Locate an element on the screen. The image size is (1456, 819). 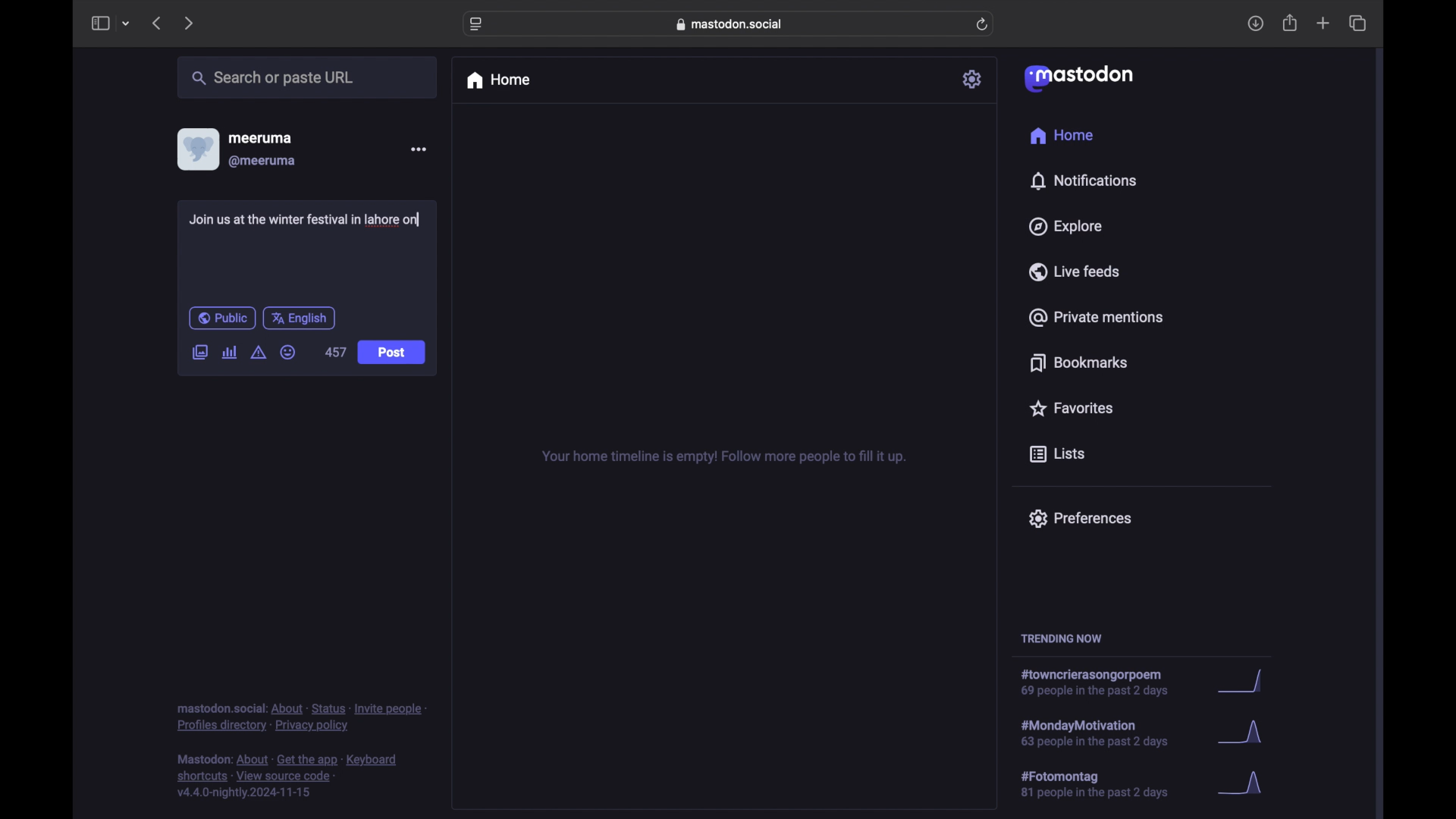
search or paste url is located at coordinates (272, 78).